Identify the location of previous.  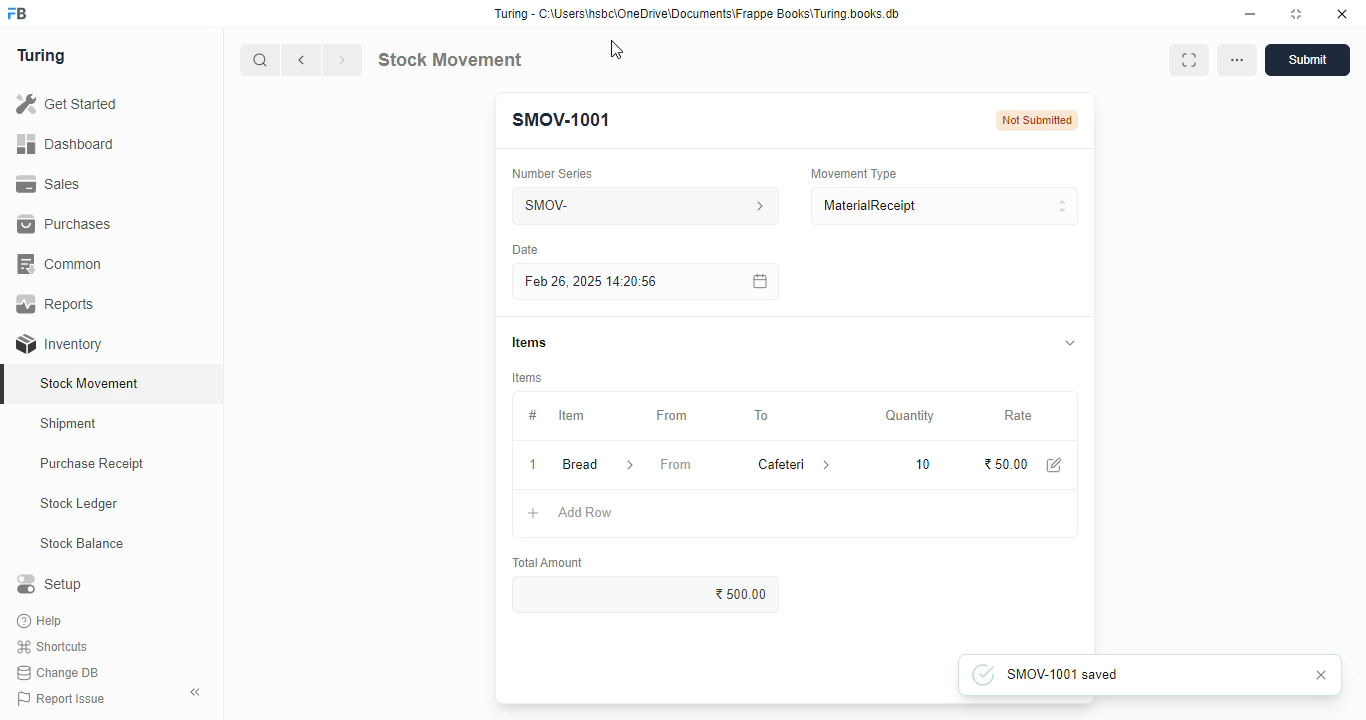
(302, 60).